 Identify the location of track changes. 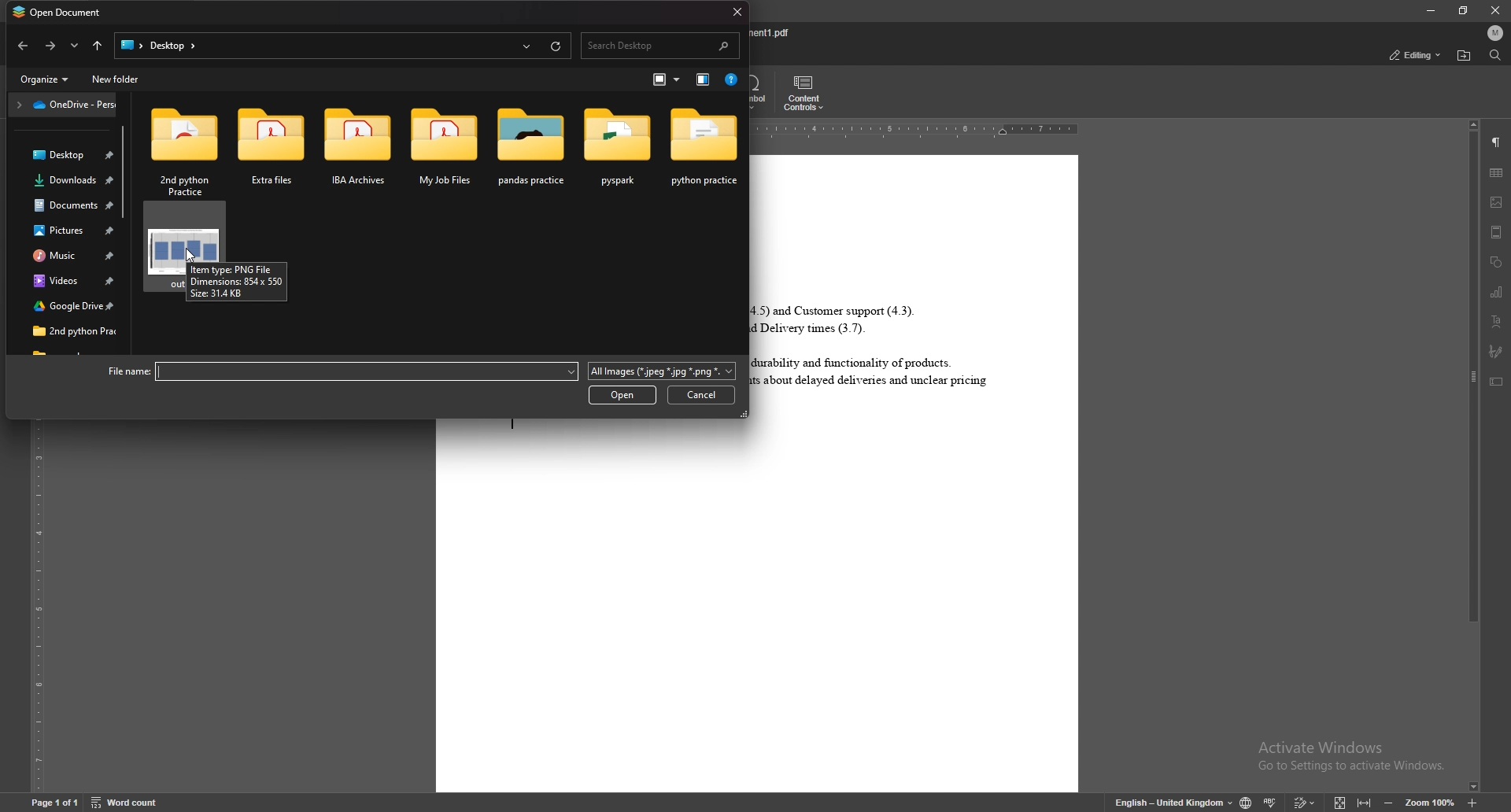
(1305, 802).